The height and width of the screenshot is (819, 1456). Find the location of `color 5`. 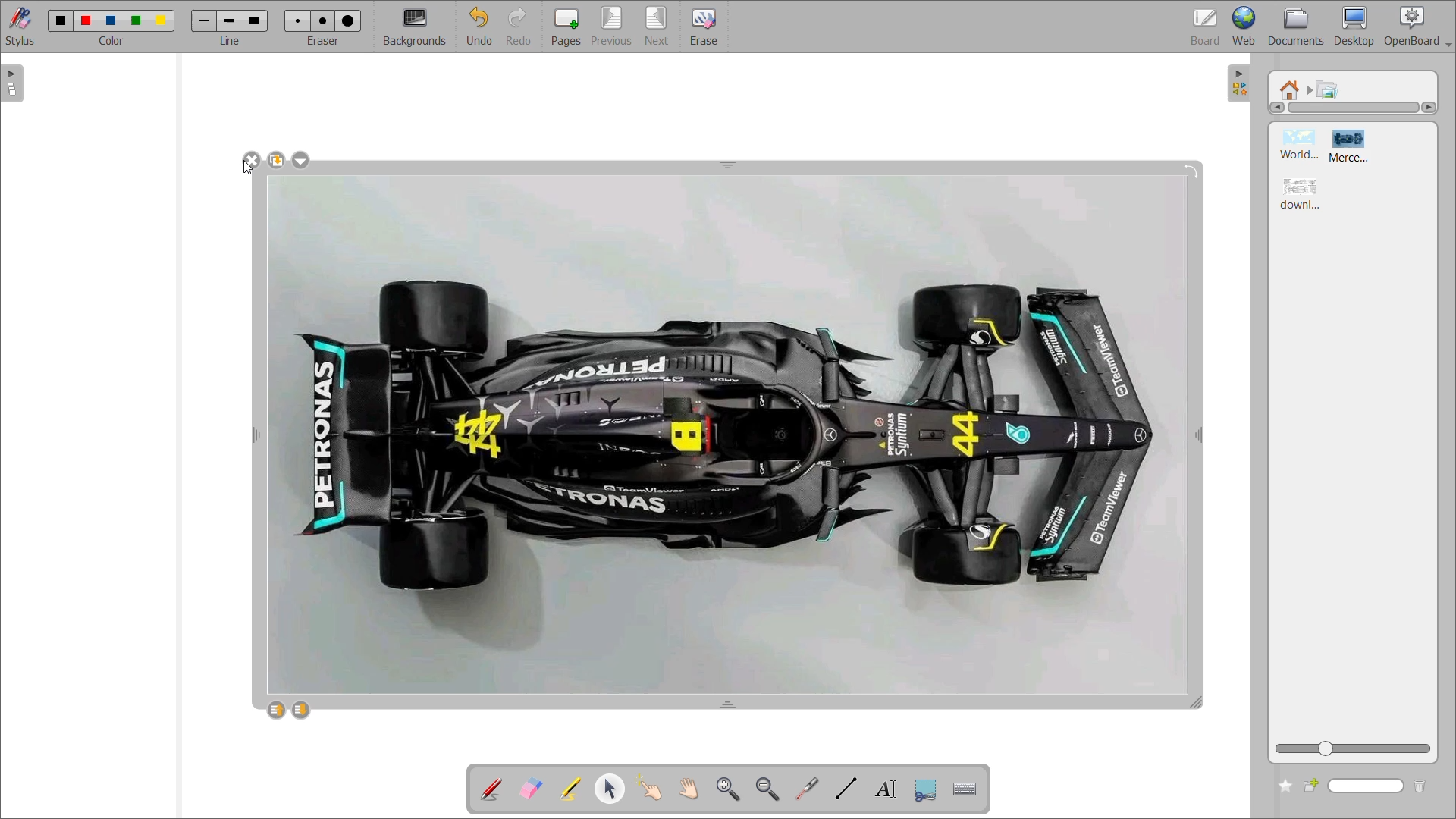

color 5 is located at coordinates (163, 20).